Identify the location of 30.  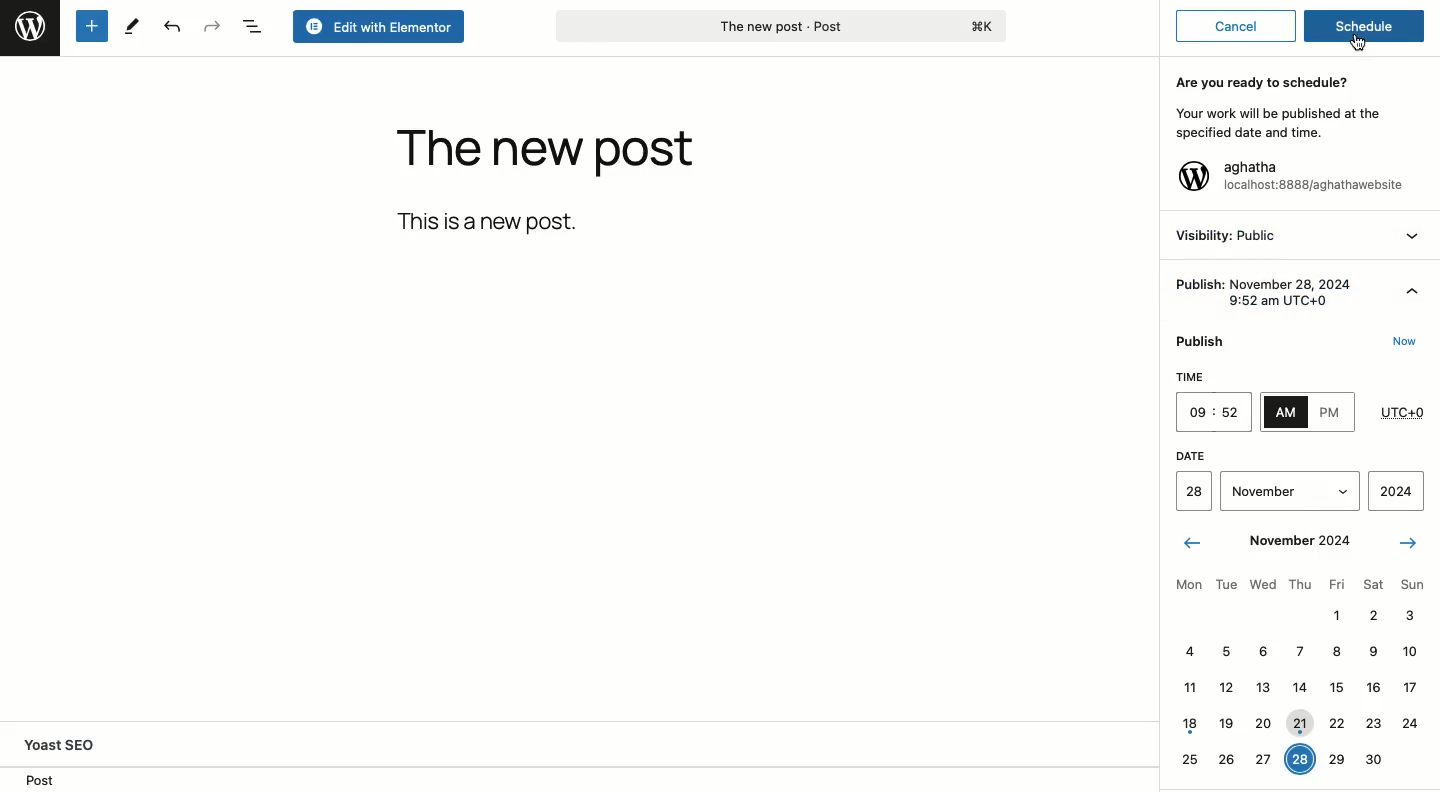
(1373, 757).